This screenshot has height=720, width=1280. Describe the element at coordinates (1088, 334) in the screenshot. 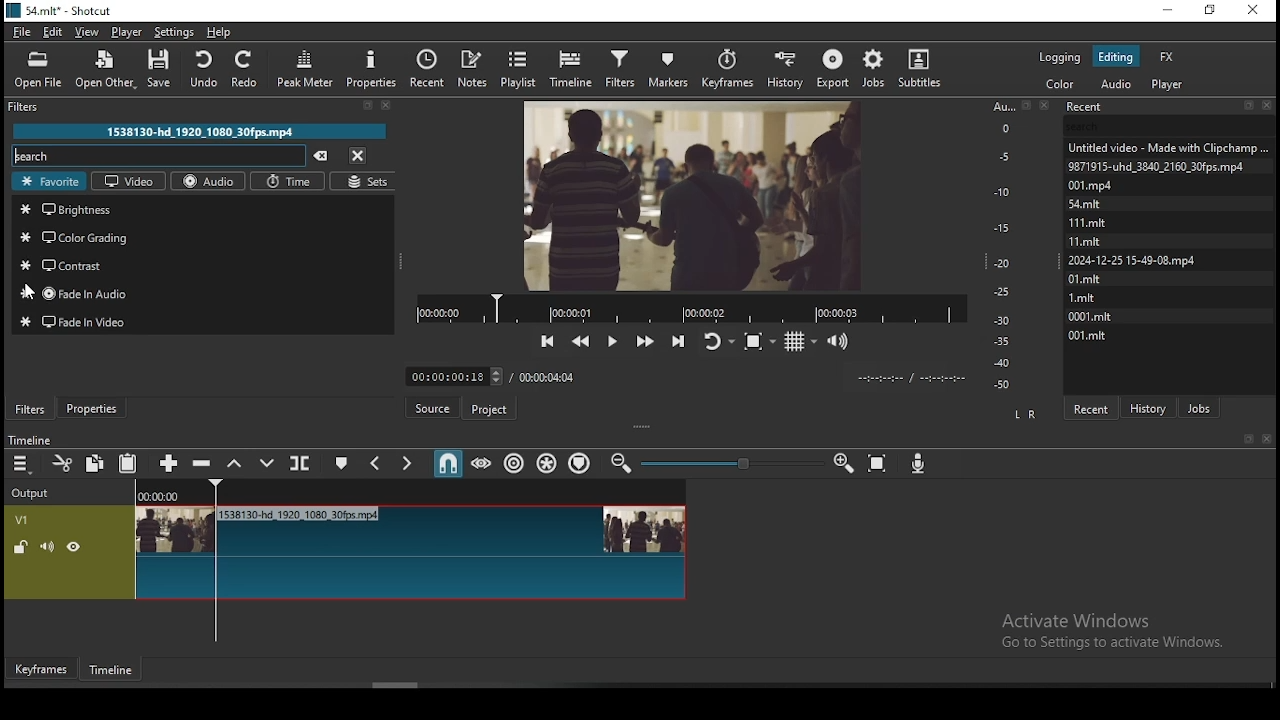

I see `001.mit` at that location.